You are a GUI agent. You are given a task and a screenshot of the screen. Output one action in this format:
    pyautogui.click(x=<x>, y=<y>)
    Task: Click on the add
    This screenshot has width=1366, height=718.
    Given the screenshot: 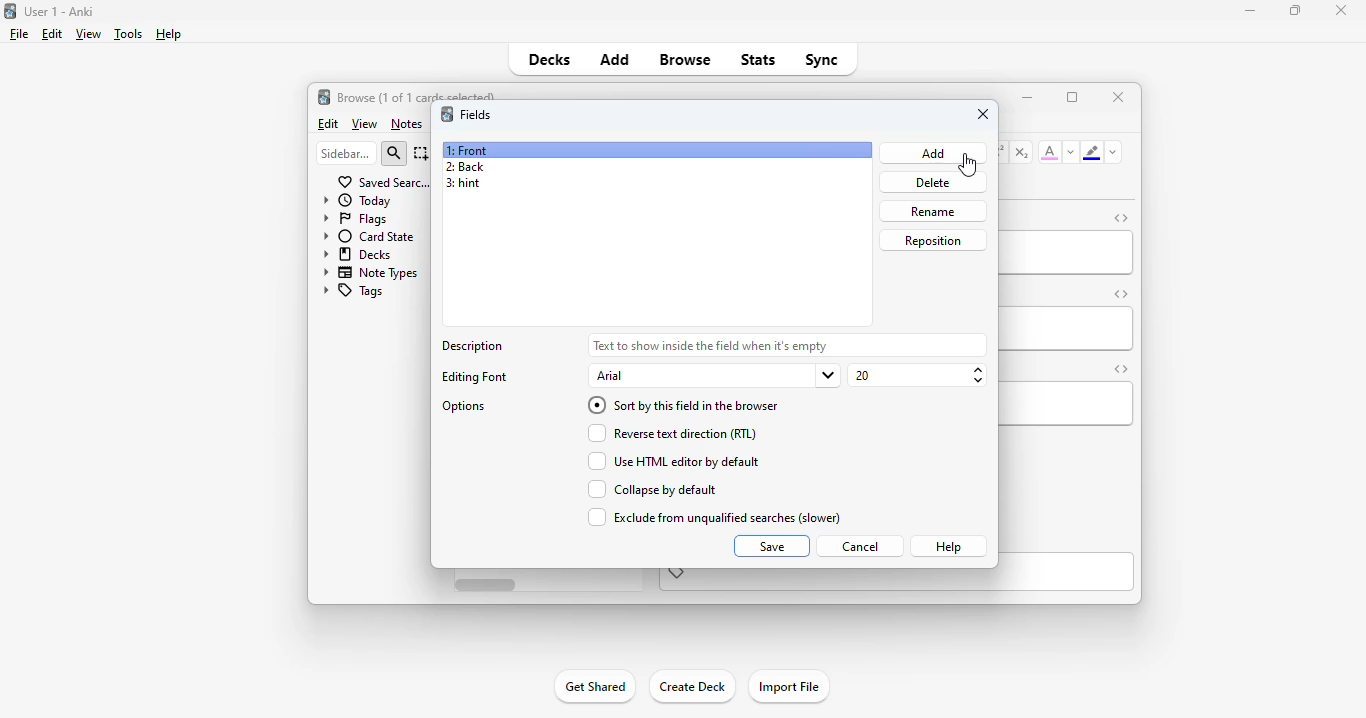 What is the action you would take?
    pyautogui.click(x=935, y=153)
    